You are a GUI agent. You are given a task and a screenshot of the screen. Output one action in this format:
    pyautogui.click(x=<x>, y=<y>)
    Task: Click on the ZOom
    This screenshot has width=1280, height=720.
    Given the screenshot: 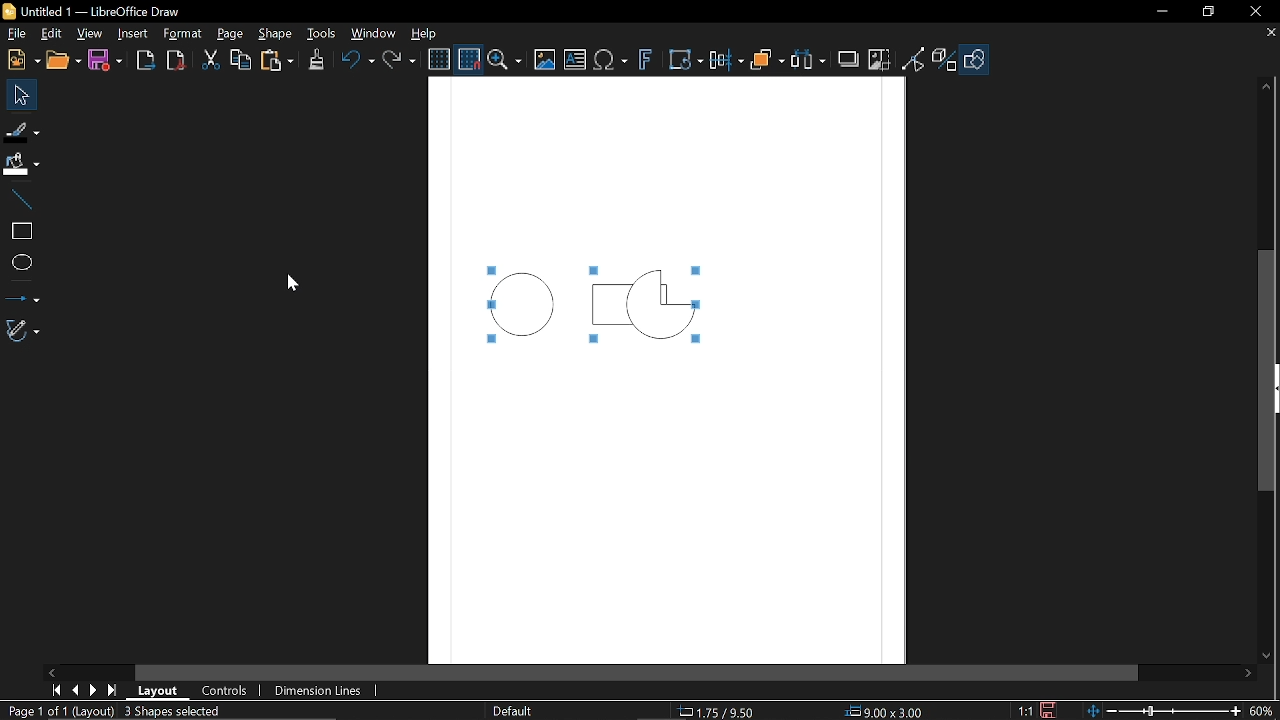 What is the action you would take?
    pyautogui.click(x=505, y=59)
    